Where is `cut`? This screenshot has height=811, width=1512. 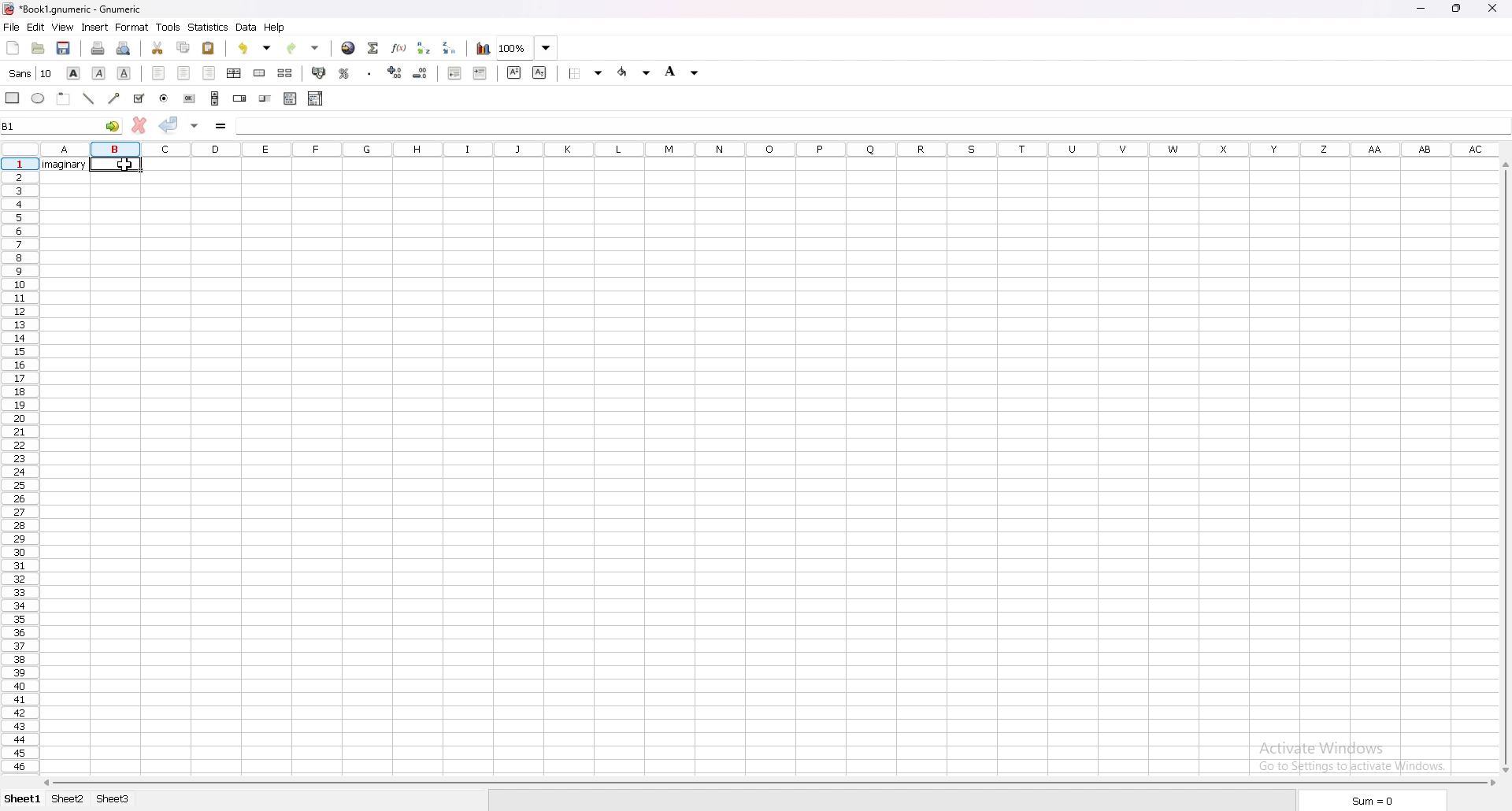
cut is located at coordinates (157, 48).